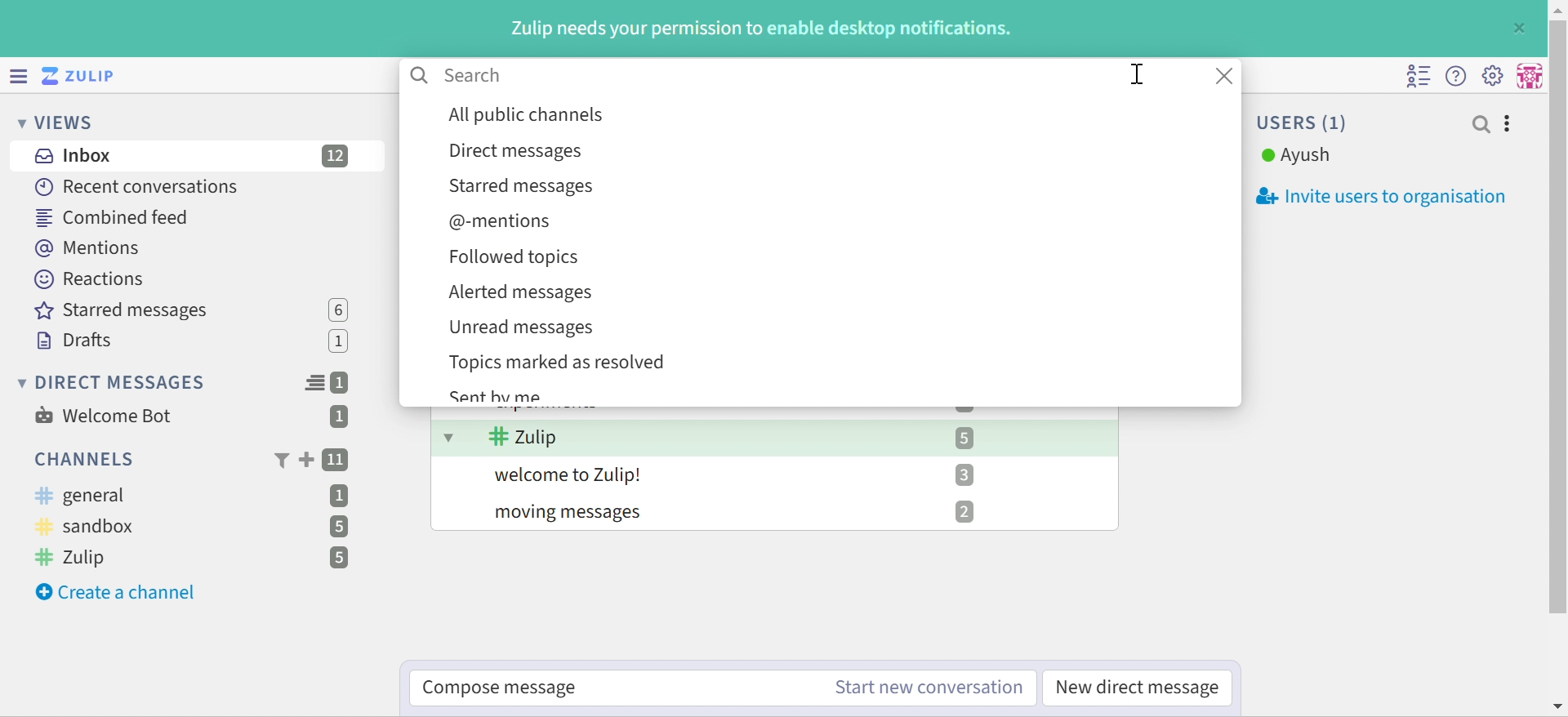 The image size is (1568, 717). What do you see at coordinates (113, 383) in the screenshot?
I see `DIRECT MESSAGES` at bounding box center [113, 383].